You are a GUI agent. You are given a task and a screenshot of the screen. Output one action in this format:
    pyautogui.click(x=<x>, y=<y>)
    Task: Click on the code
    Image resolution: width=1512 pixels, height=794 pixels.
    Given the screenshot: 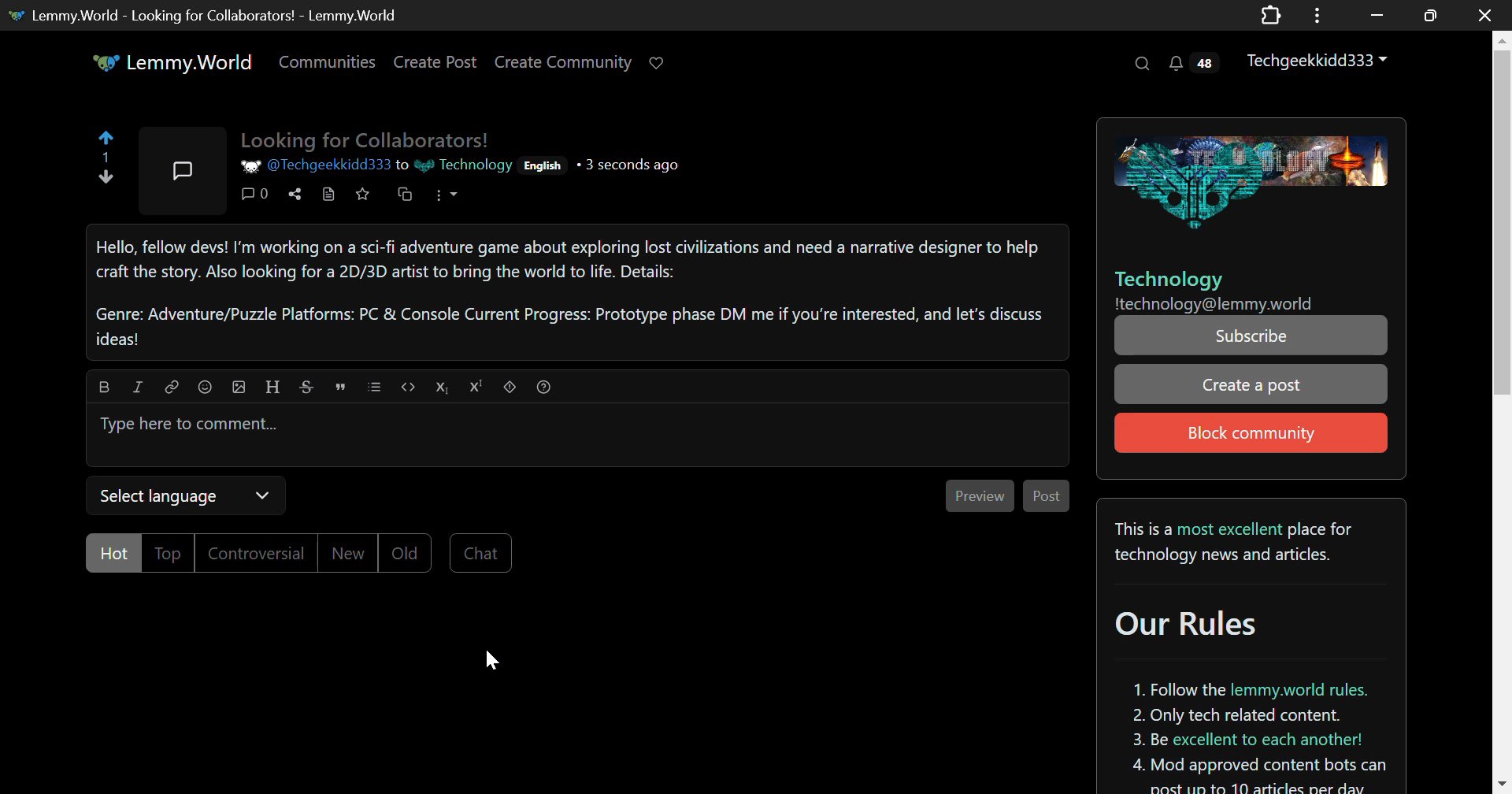 What is the action you would take?
    pyautogui.click(x=406, y=385)
    